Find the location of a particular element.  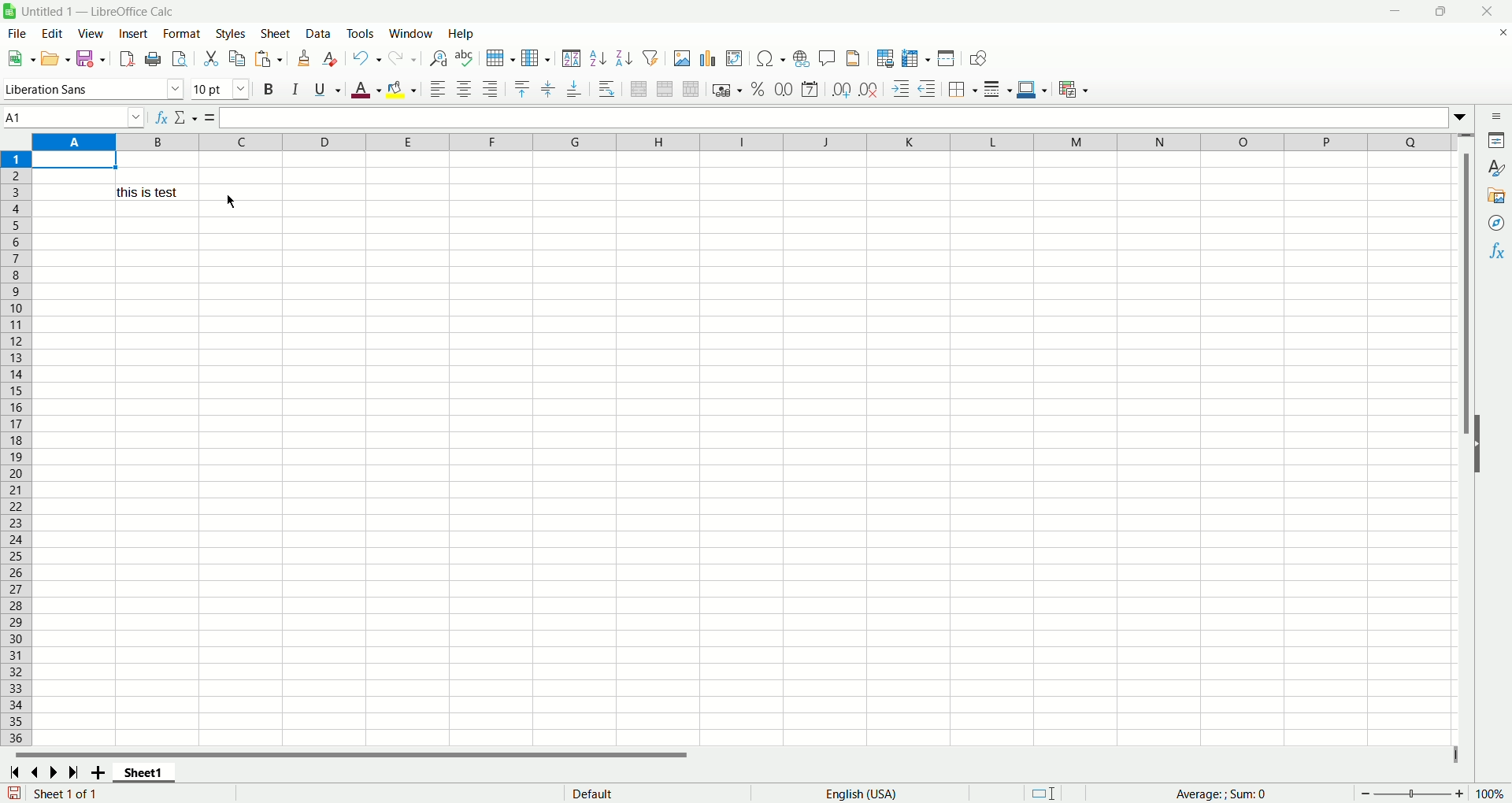

next sheet is located at coordinates (51, 773).